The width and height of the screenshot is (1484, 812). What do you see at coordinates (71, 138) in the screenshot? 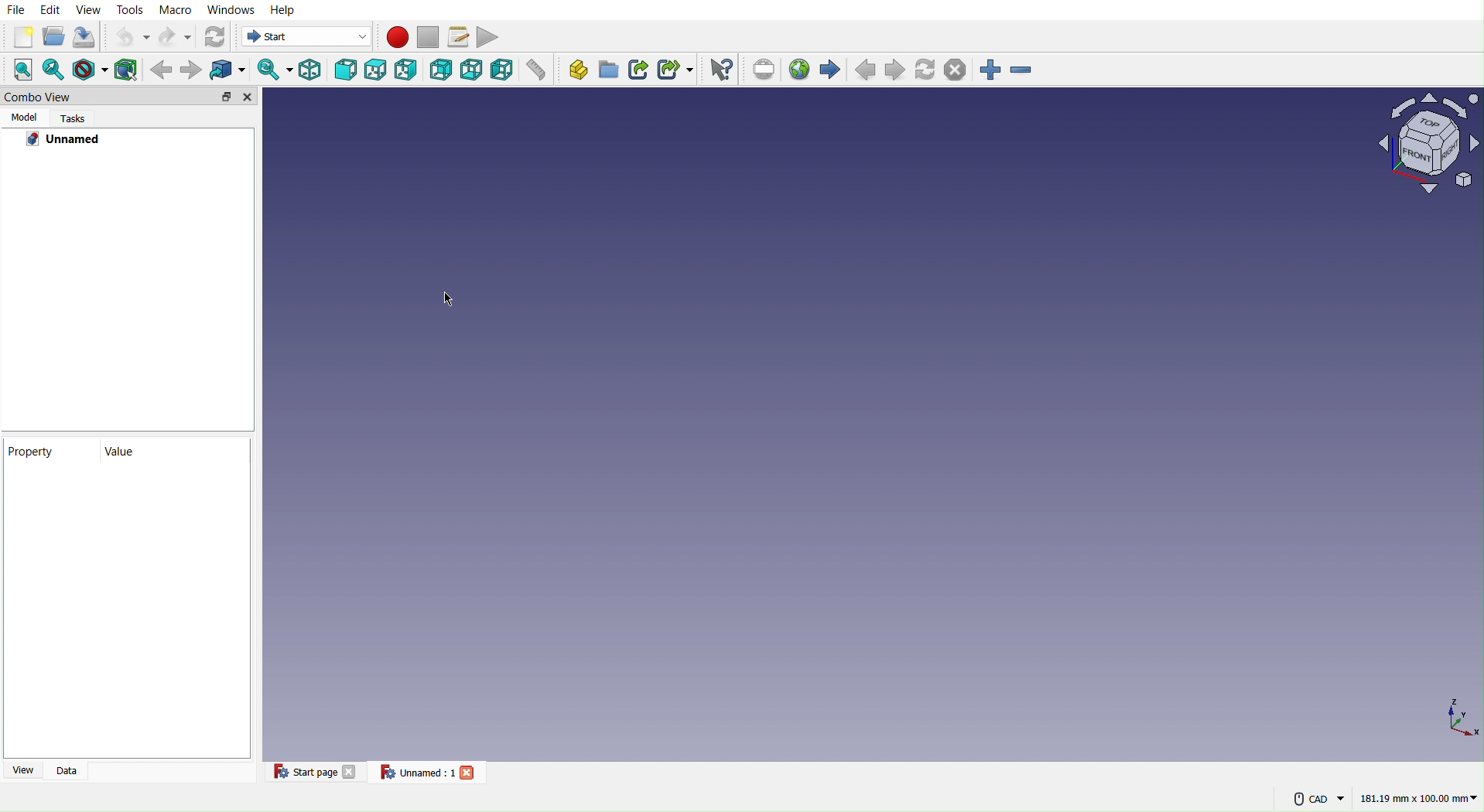
I see `Unnamed project` at bounding box center [71, 138].